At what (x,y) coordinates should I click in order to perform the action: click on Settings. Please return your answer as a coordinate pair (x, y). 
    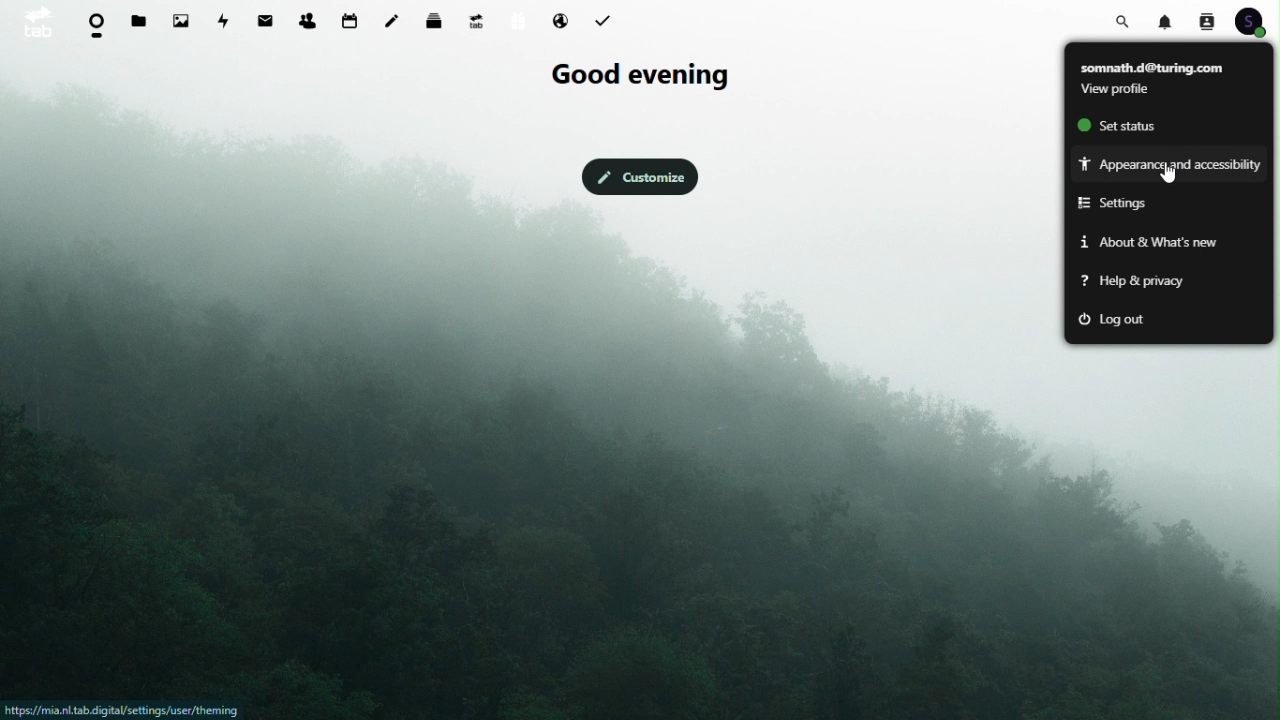
    Looking at the image, I should click on (1123, 203).